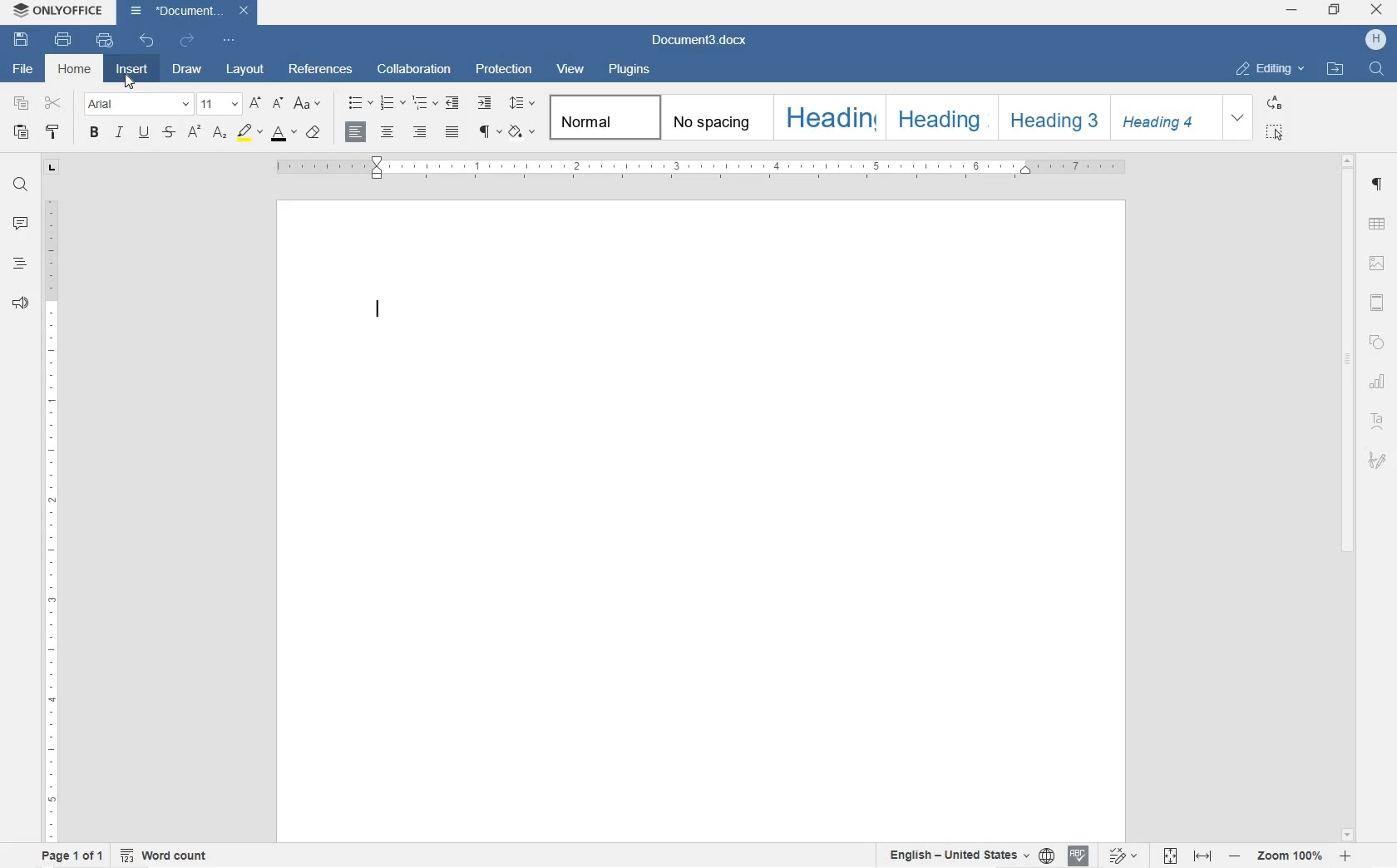 The height and width of the screenshot is (868, 1397). Describe the element at coordinates (320, 71) in the screenshot. I see `REFERENCES` at that location.